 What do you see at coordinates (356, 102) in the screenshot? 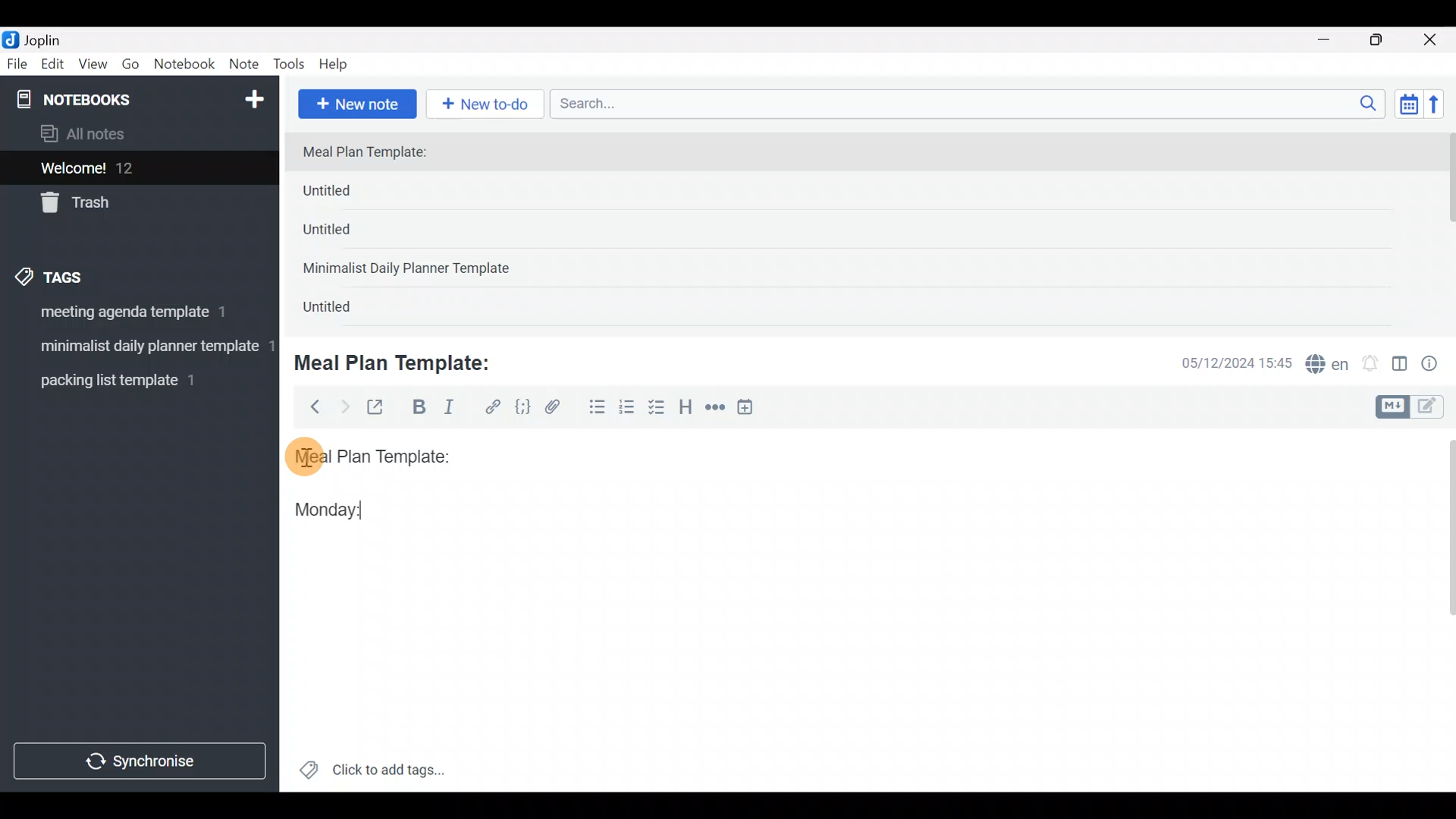
I see `New note` at bounding box center [356, 102].